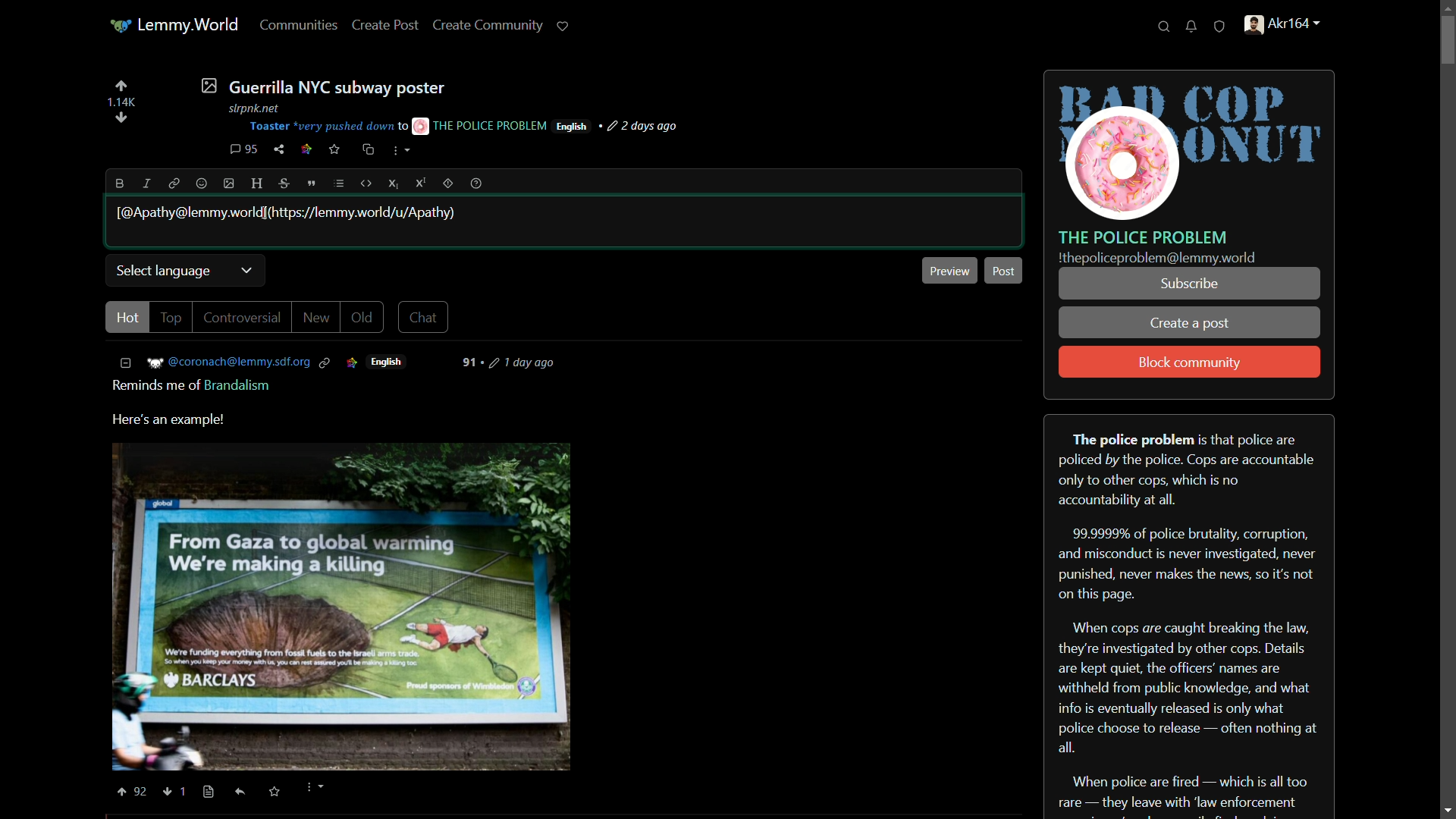  I want to click on scroll down, so click(1444, 808).